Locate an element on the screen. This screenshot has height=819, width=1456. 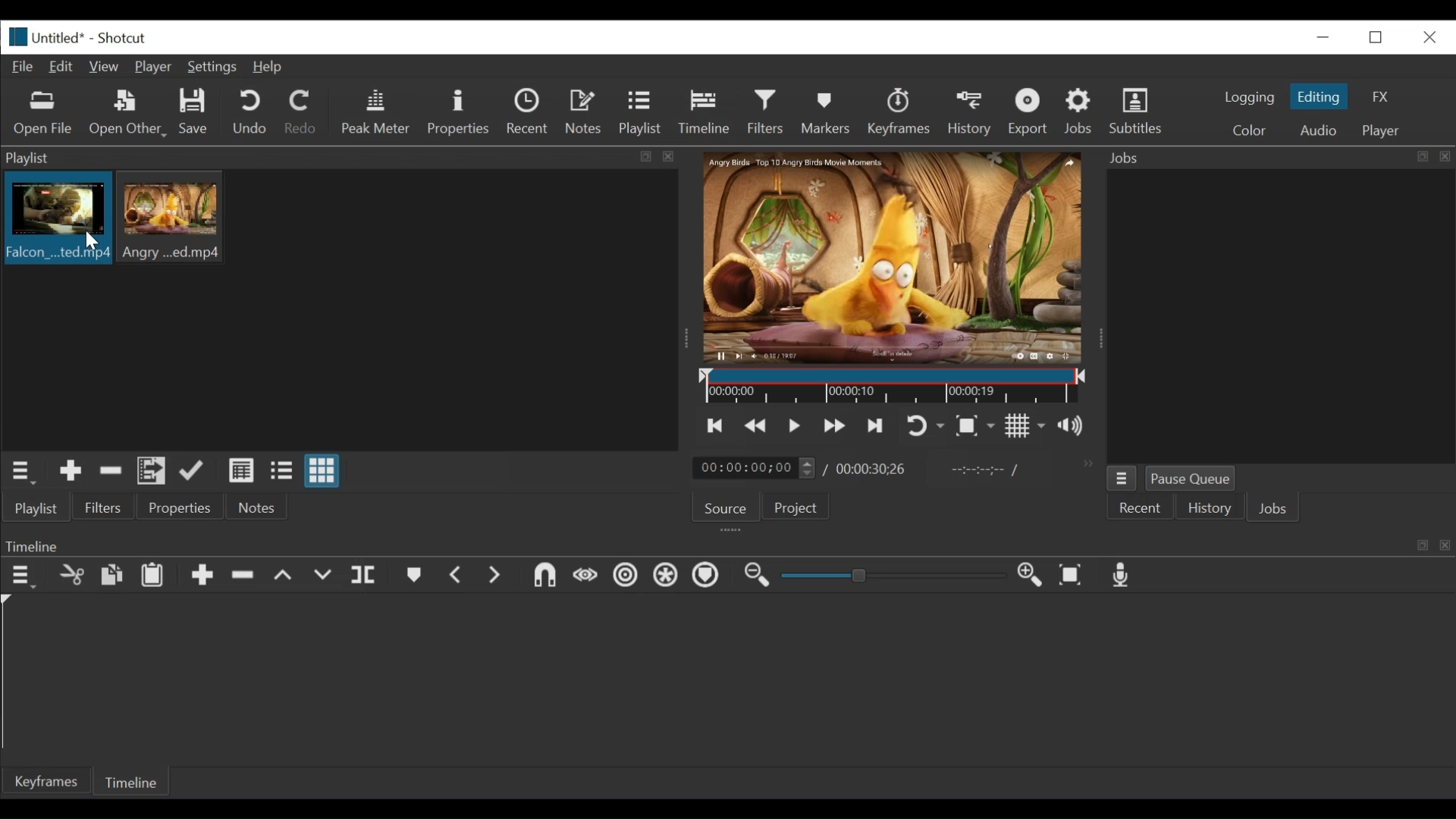
Ripple all tracks is located at coordinates (665, 577).